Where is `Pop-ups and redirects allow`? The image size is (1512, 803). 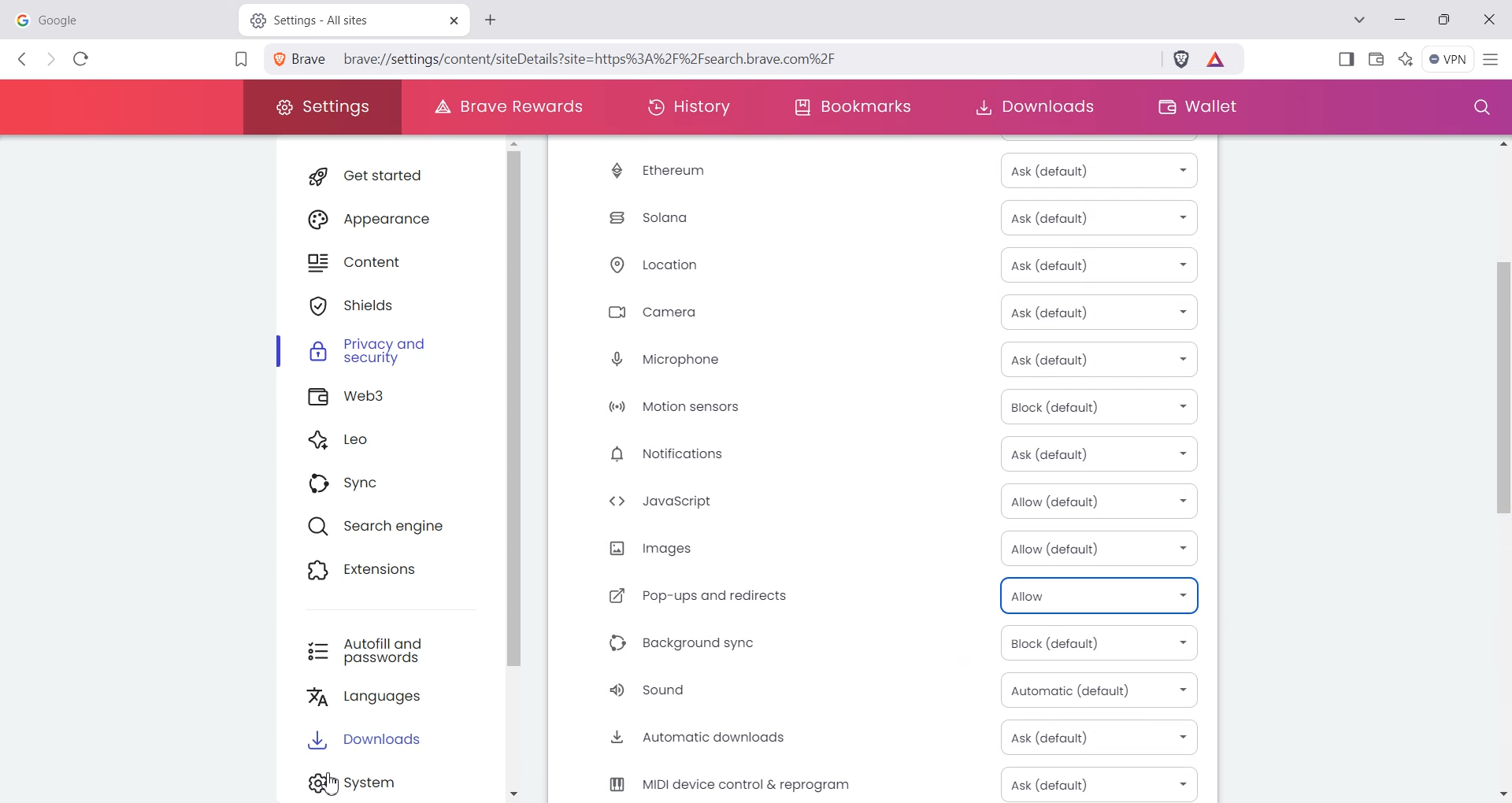 Pop-ups and redirects allow is located at coordinates (885, 595).